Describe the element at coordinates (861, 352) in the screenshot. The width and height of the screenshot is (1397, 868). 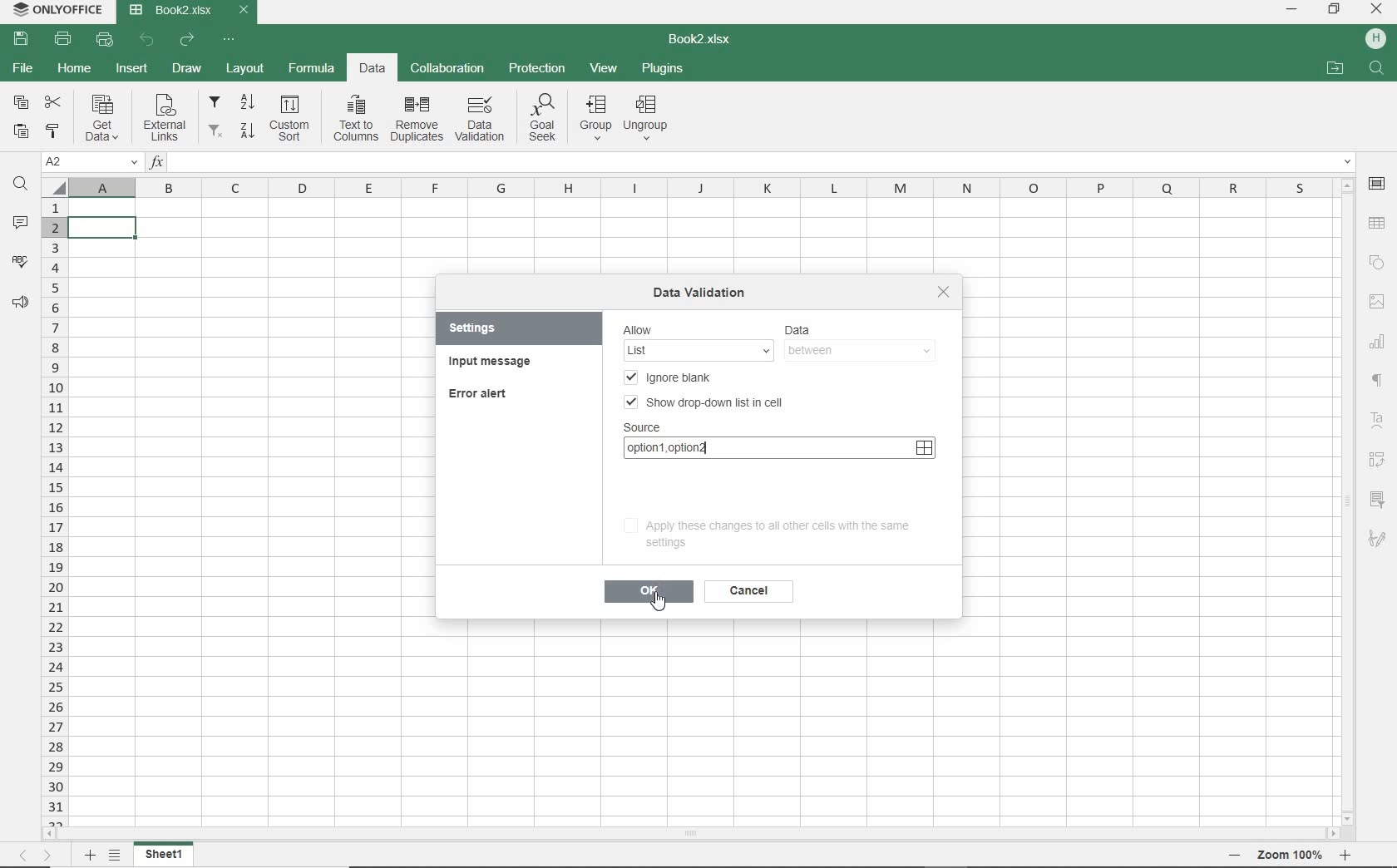
I see `BETWEEN` at that location.